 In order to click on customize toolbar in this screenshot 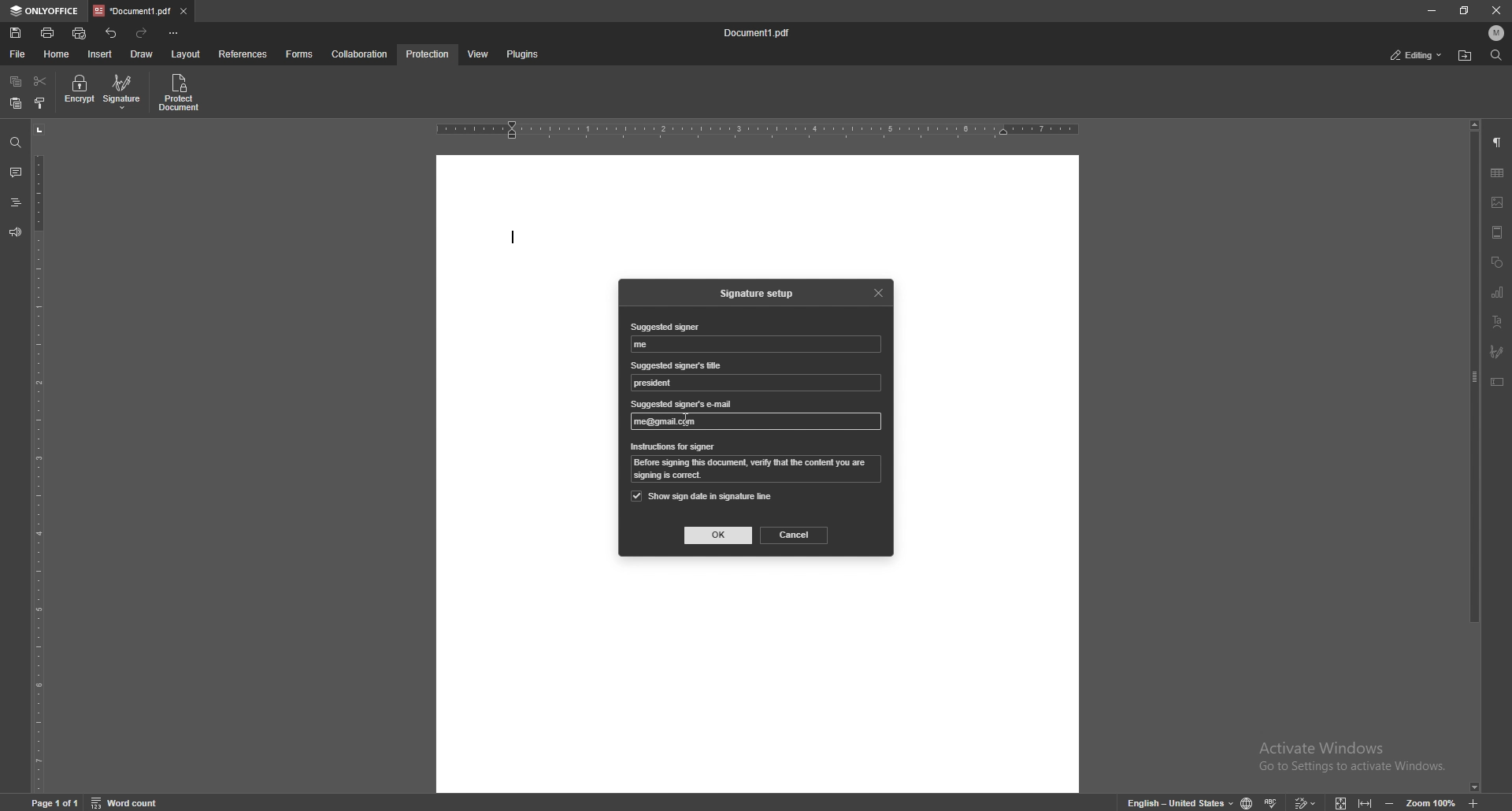, I will do `click(173, 32)`.